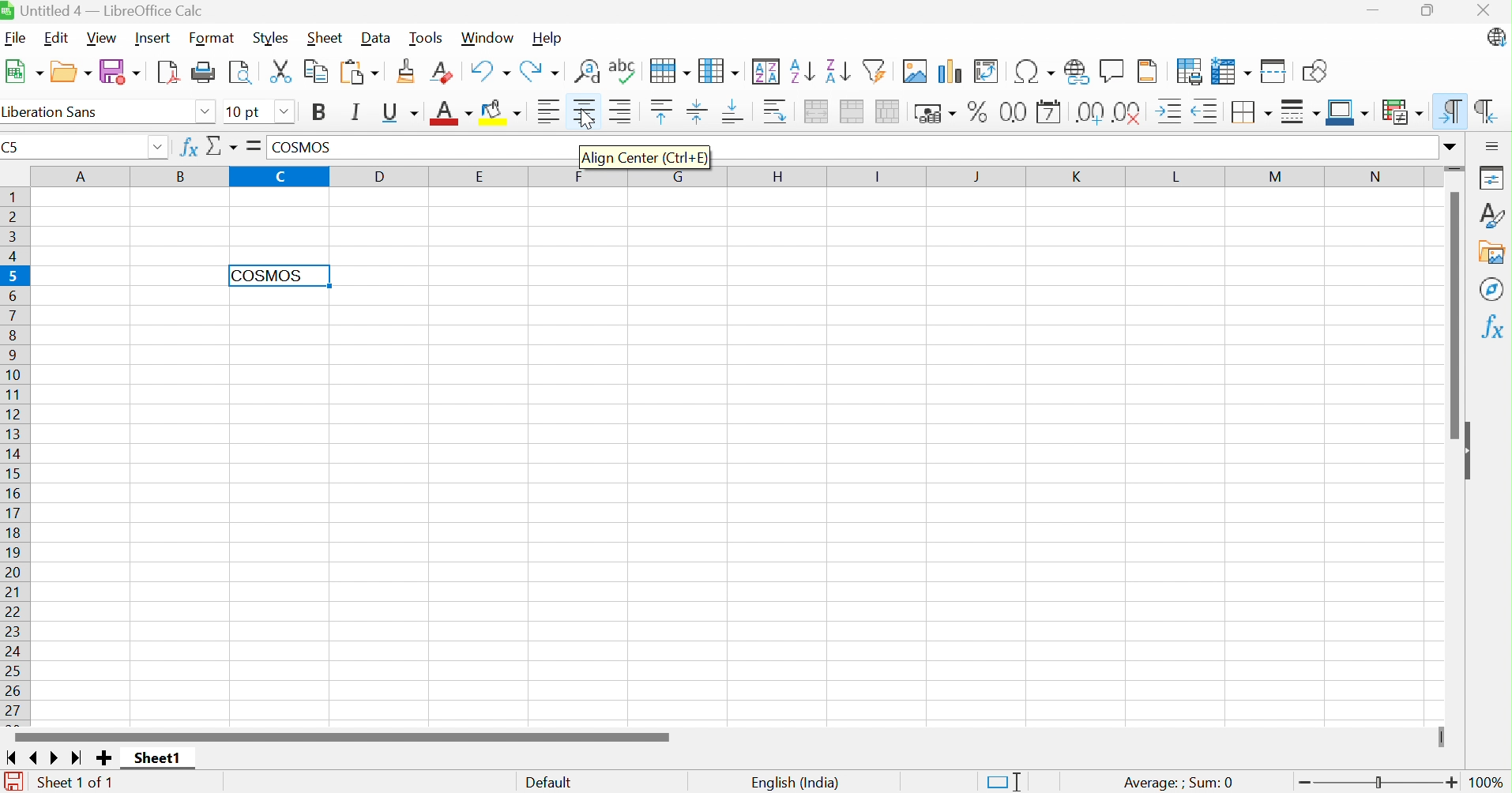  I want to click on Align Center, so click(585, 111).